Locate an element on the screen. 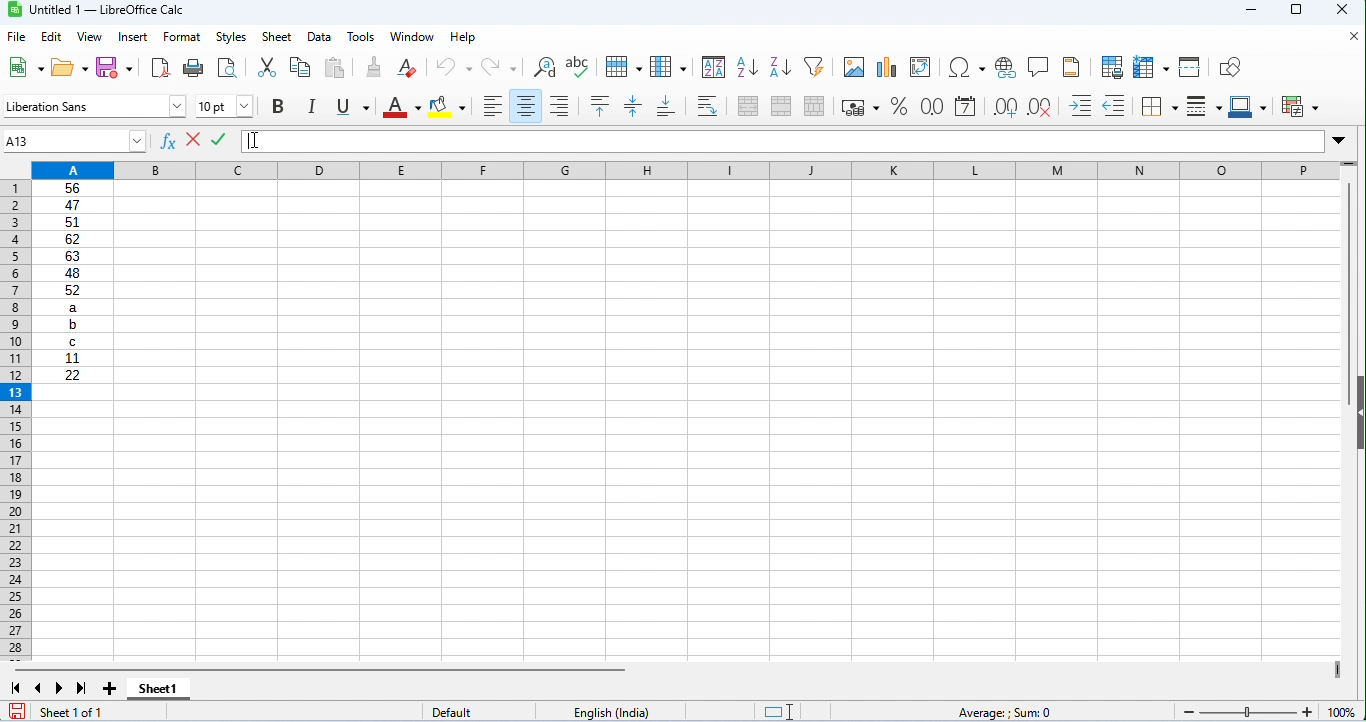 The image size is (1366, 722). drag to view more rows is located at coordinates (1348, 163).